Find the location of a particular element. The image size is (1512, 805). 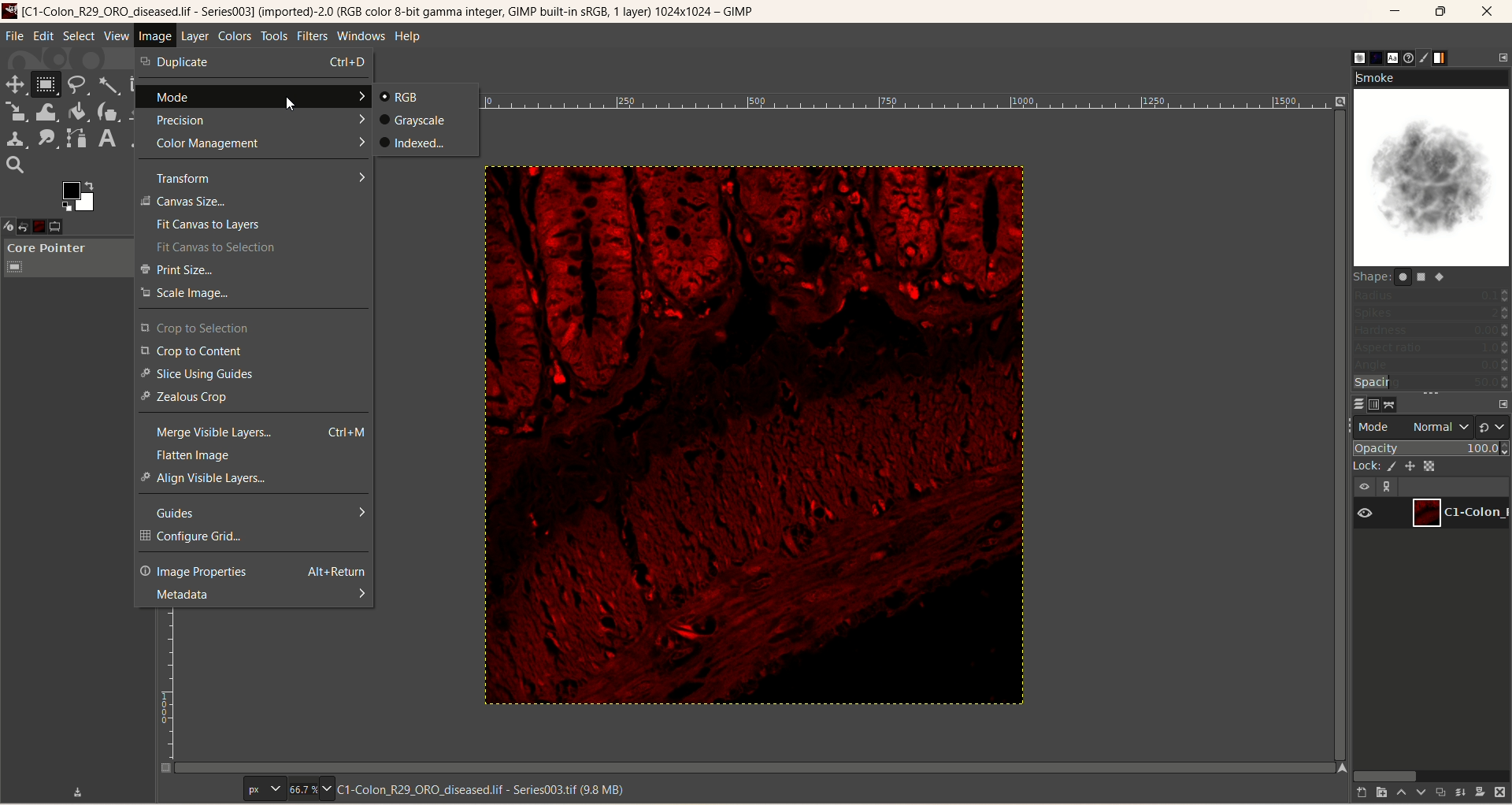

move tool is located at coordinates (17, 85).